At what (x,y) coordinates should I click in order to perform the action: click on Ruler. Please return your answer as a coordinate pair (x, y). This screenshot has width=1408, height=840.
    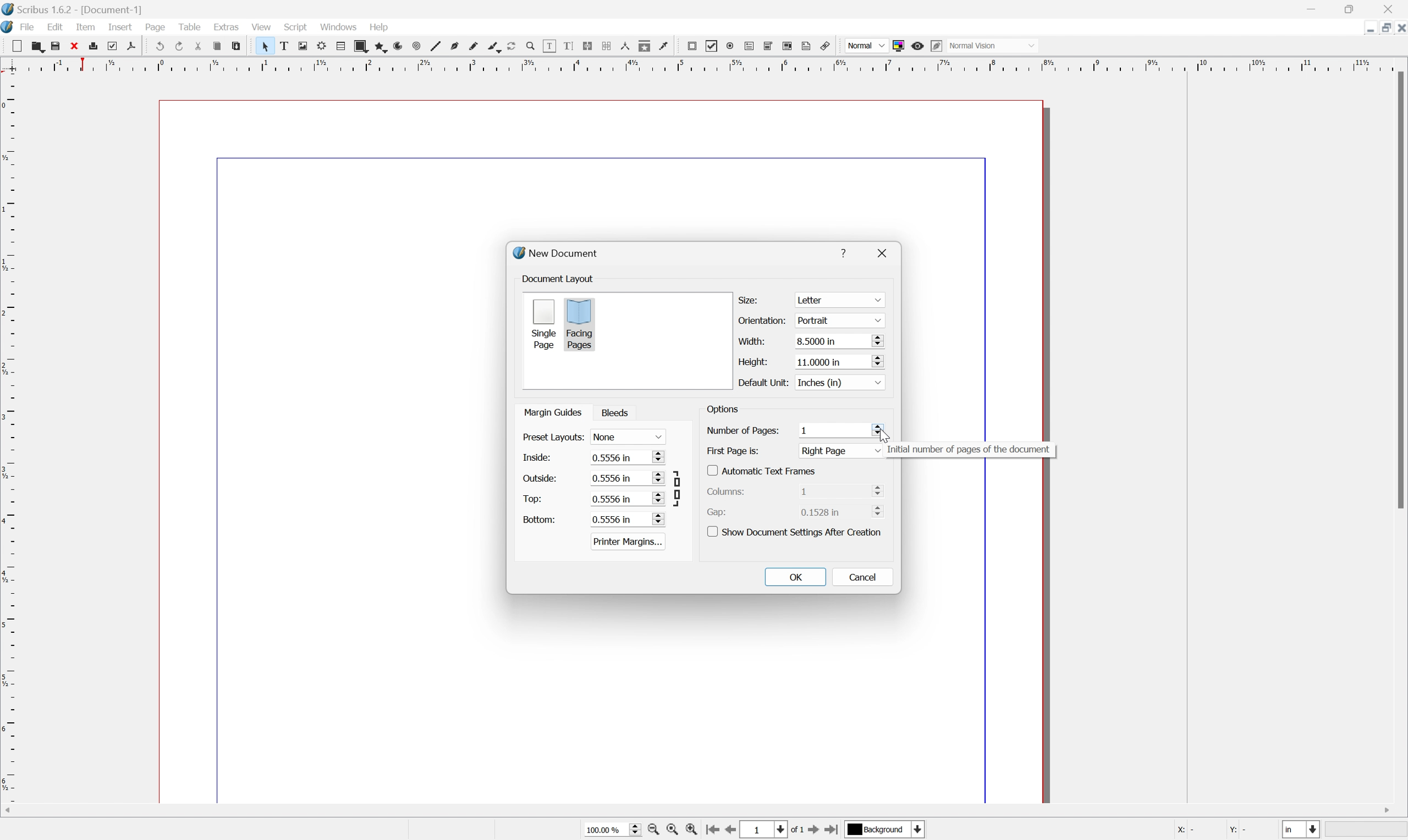
    Looking at the image, I should click on (9, 446).